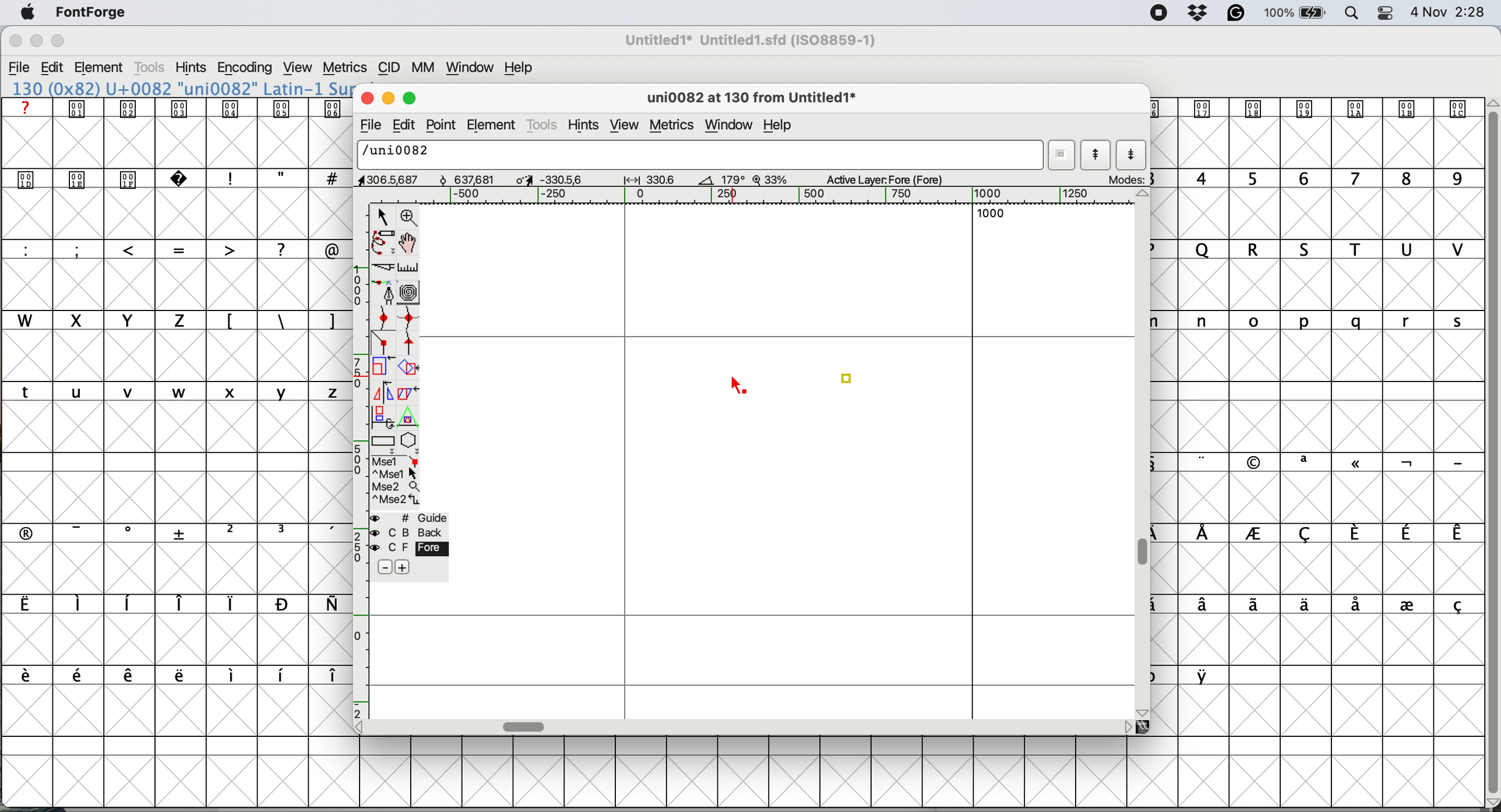 The height and width of the screenshot is (812, 1501). Describe the element at coordinates (410, 216) in the screenshot. I see `zoom` at that location.